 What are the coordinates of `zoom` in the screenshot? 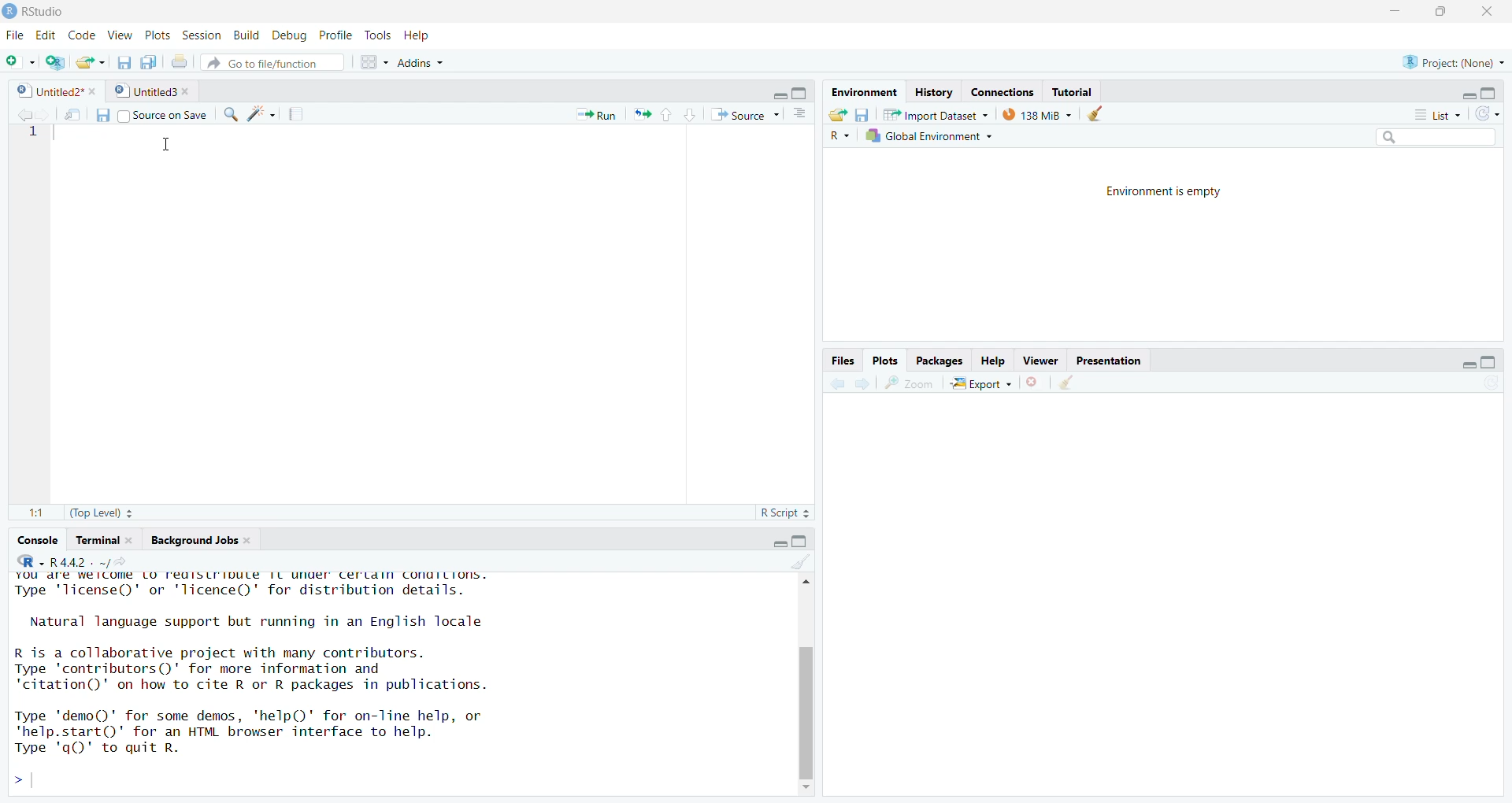 It's located at (911, 383).